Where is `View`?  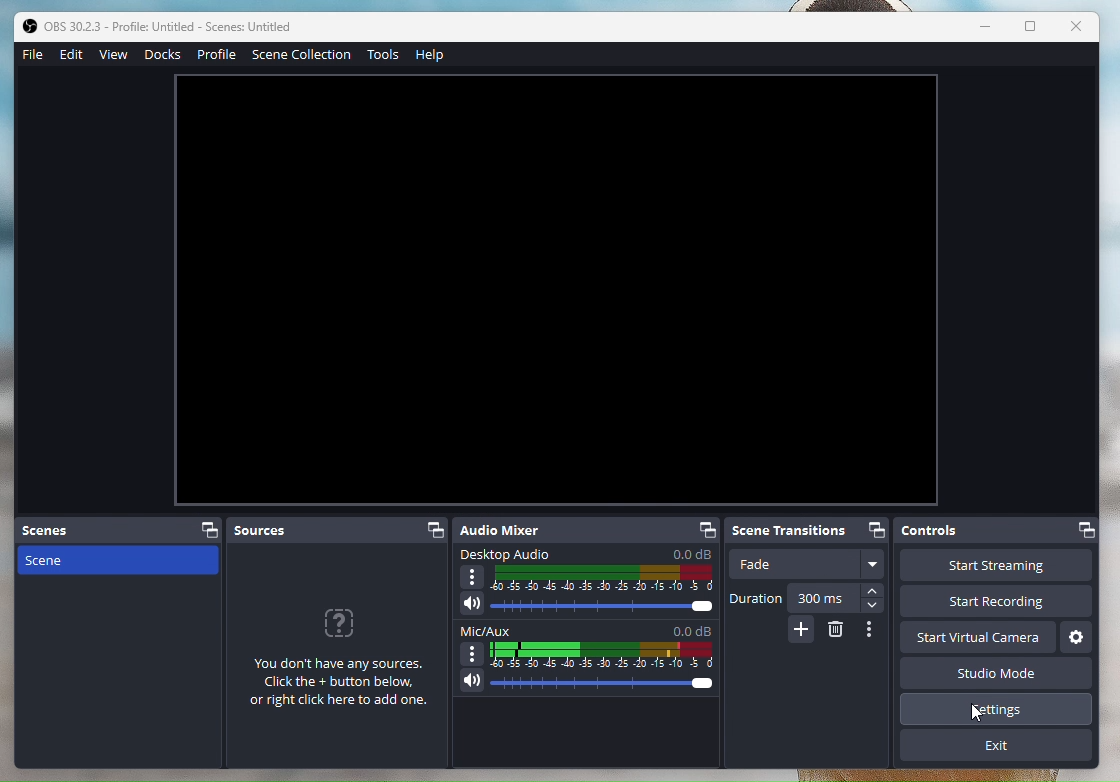
View is located at coordinates (116, 55).